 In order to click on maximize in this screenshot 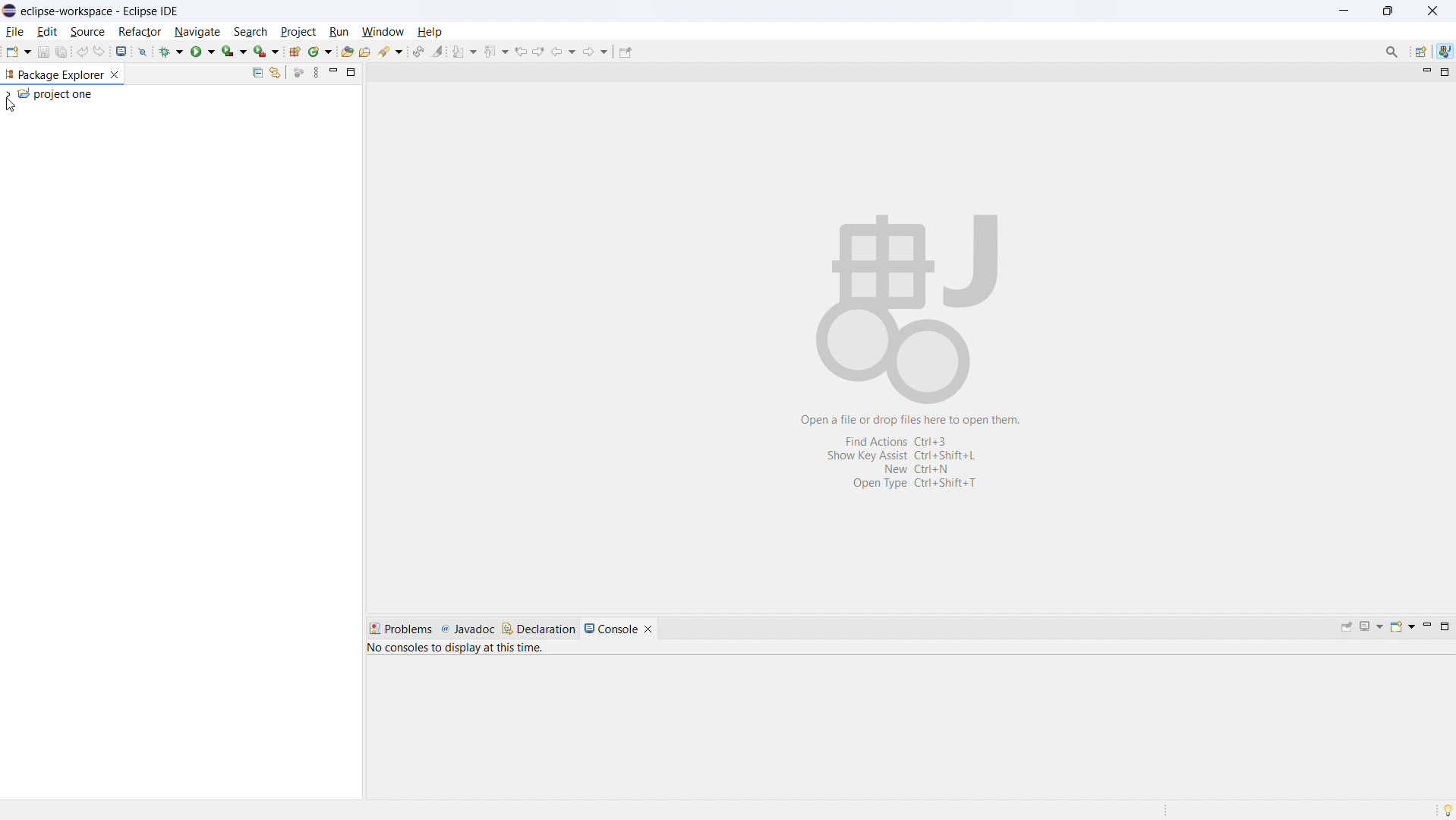, I will do `click(1388, 11)`.